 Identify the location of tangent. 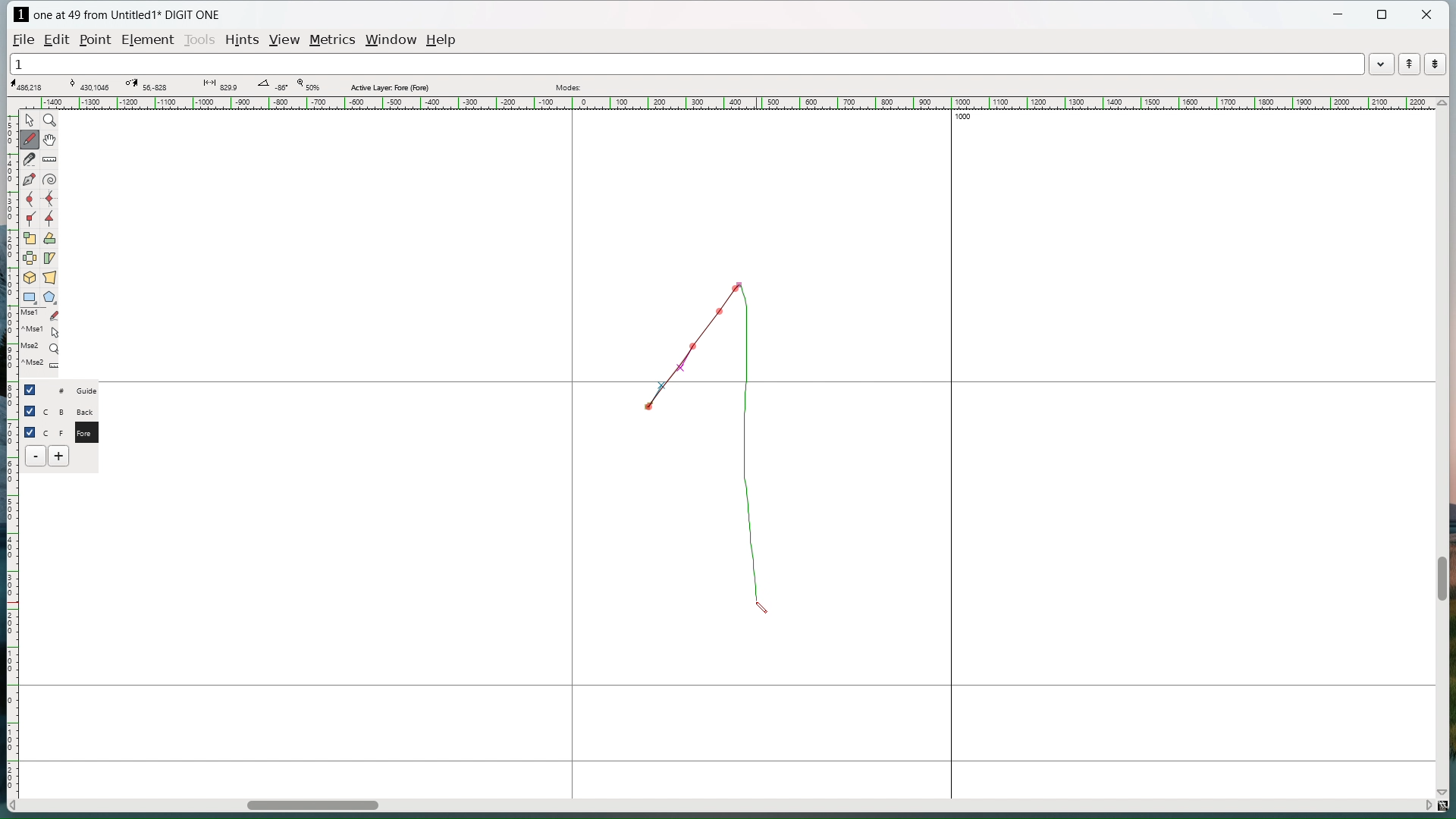
(89, 84).